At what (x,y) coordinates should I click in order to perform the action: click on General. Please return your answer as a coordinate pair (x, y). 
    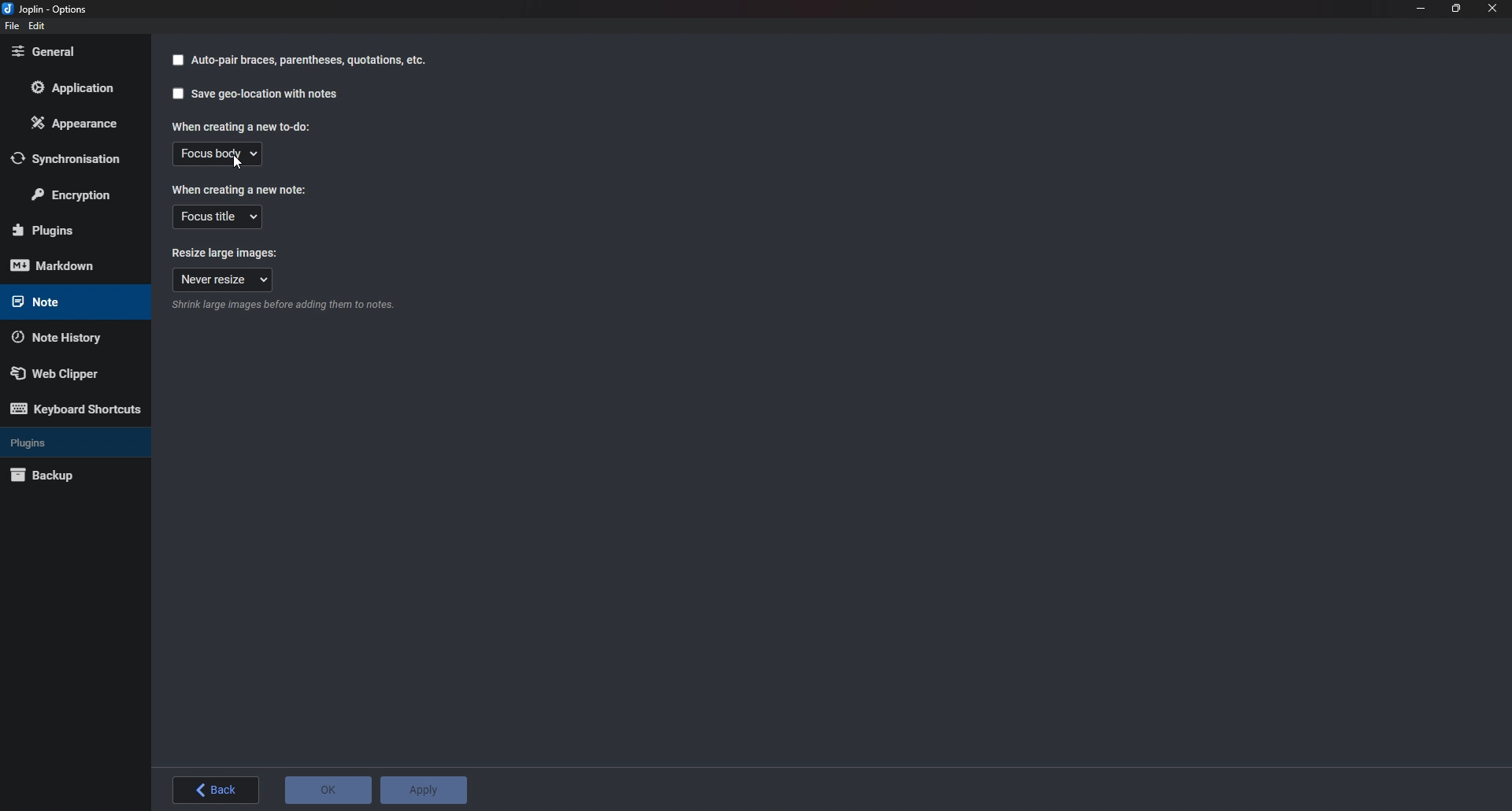
    Looking at the image, I should click on (71, 53).